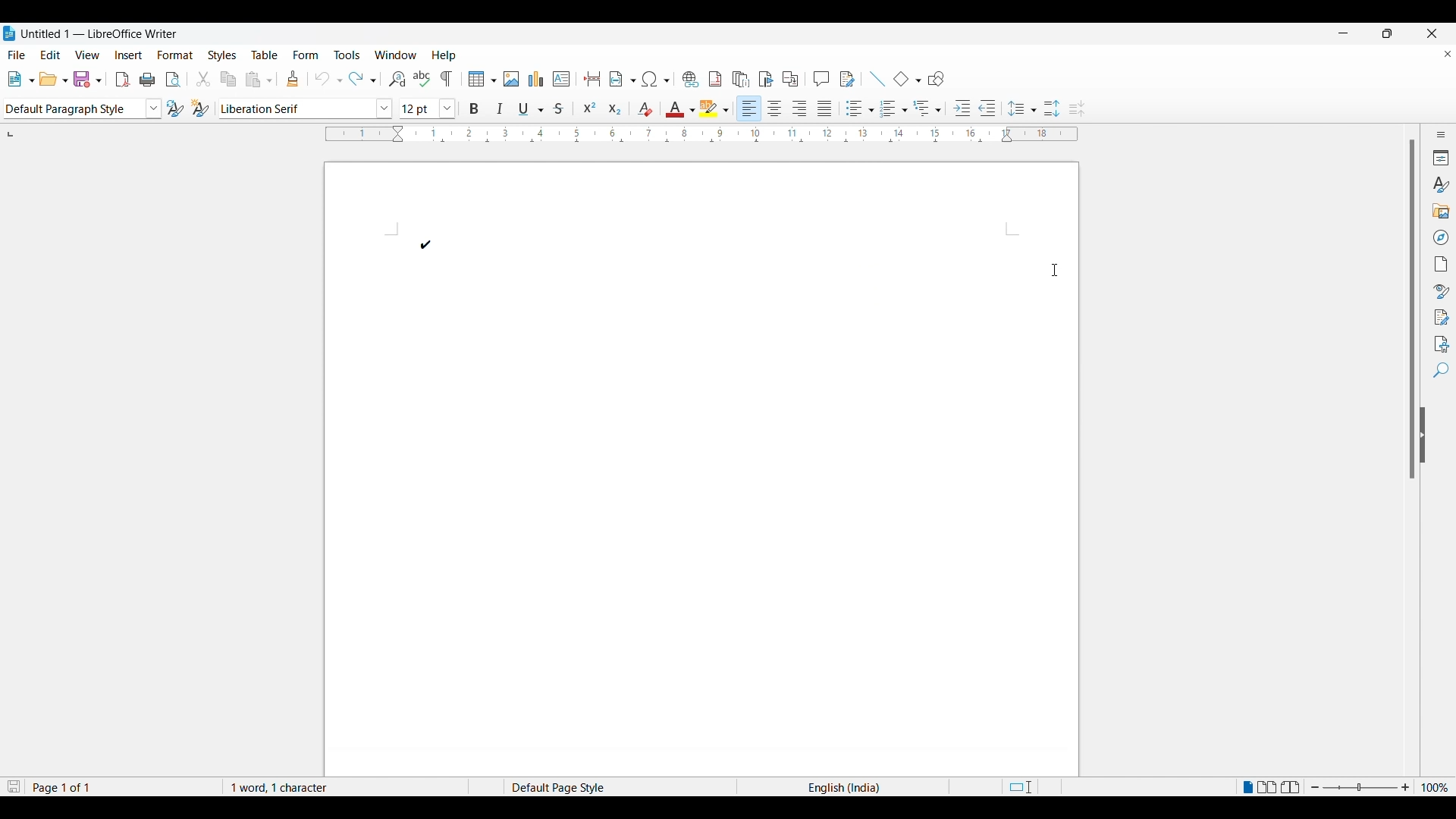  Describe the element at coordinates (533, 106) in the screenshot. I see `underline` at that location.